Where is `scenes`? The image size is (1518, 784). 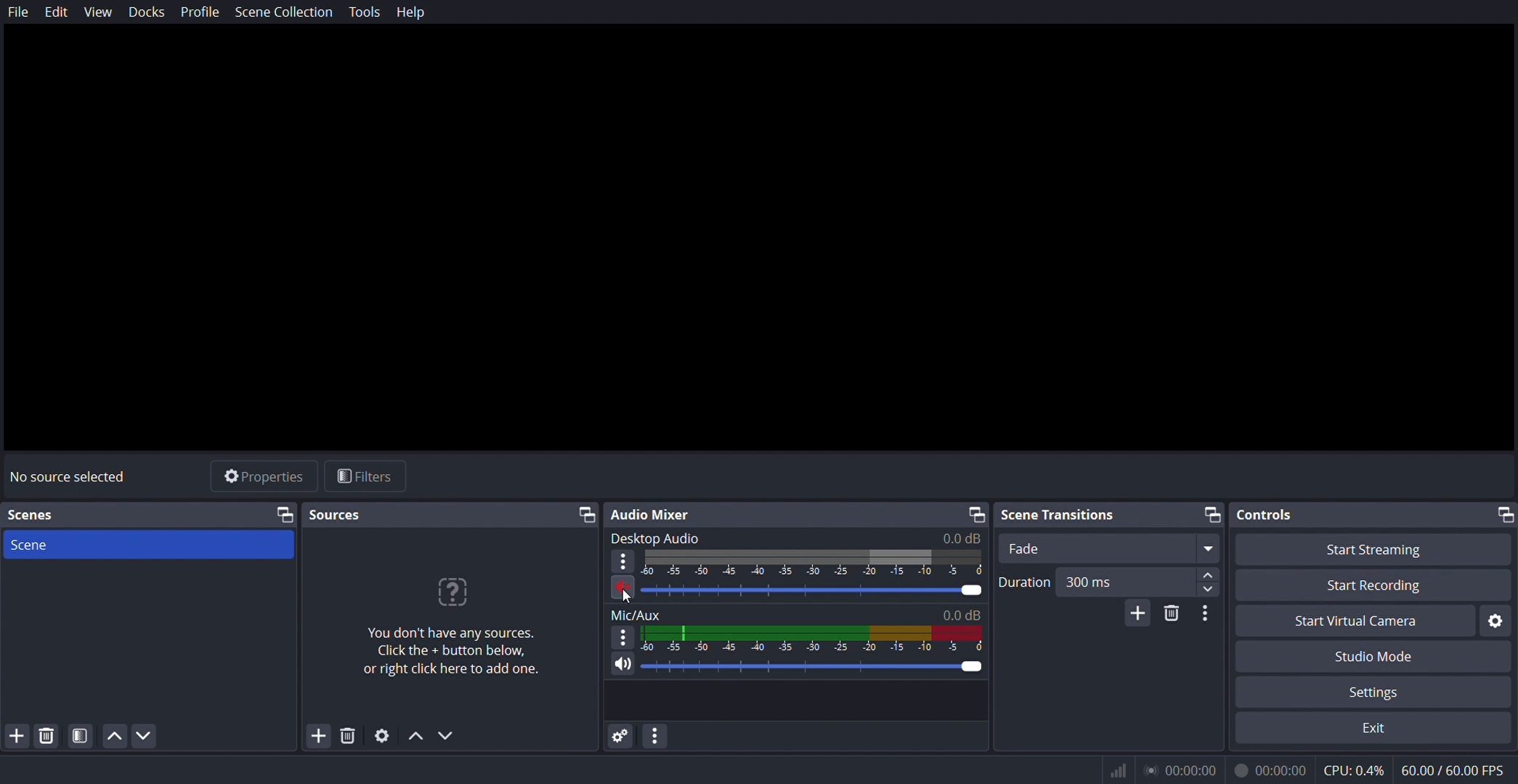 scenes is located at coordinates (40, 518).